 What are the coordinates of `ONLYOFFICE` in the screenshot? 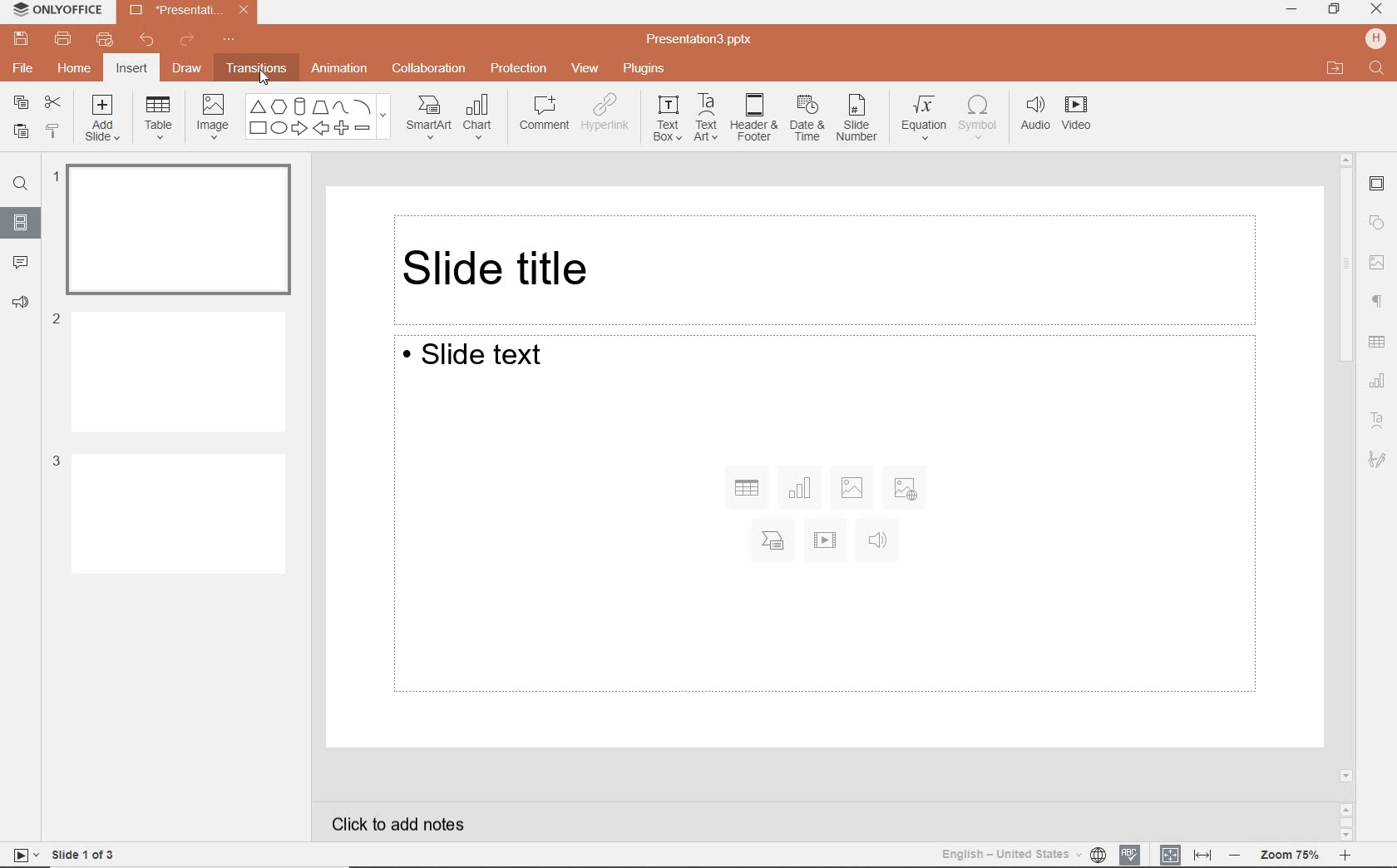 It's located at (53, 9).